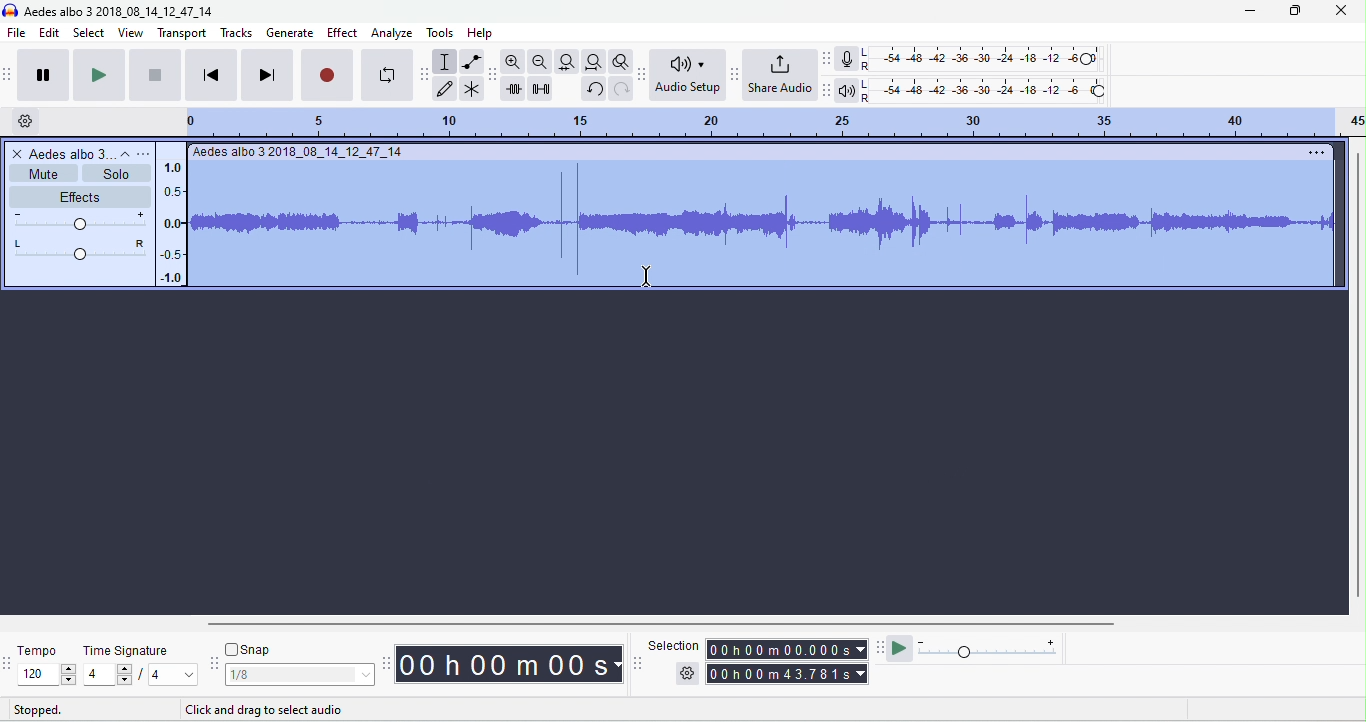 The image size is (1366, 722). Describe the element at coordinates (155, 74) in the screenshot. I see `stop` at that location.